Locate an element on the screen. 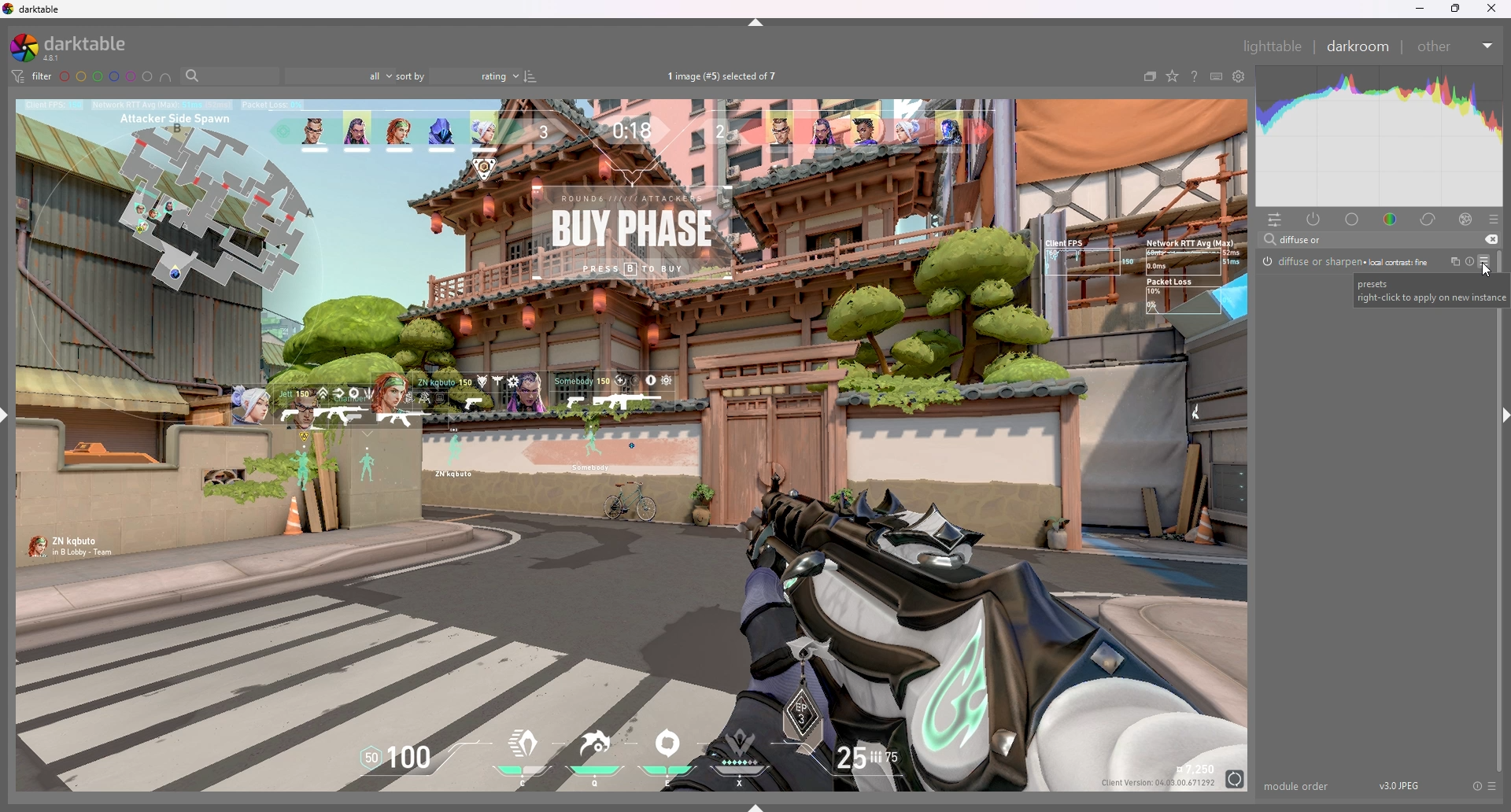  reset is located at coordinates (1469, 262).